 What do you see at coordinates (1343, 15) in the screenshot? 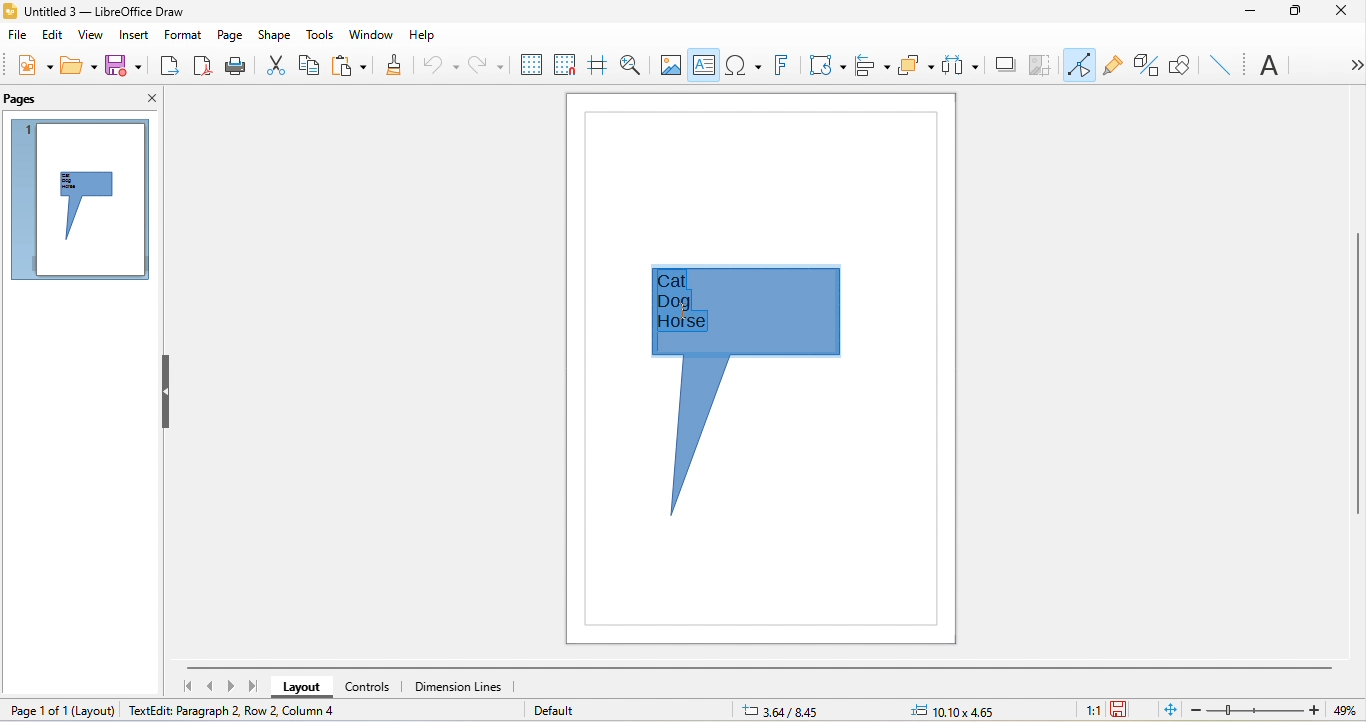
I see `close` at bounding box center [1343, 15].